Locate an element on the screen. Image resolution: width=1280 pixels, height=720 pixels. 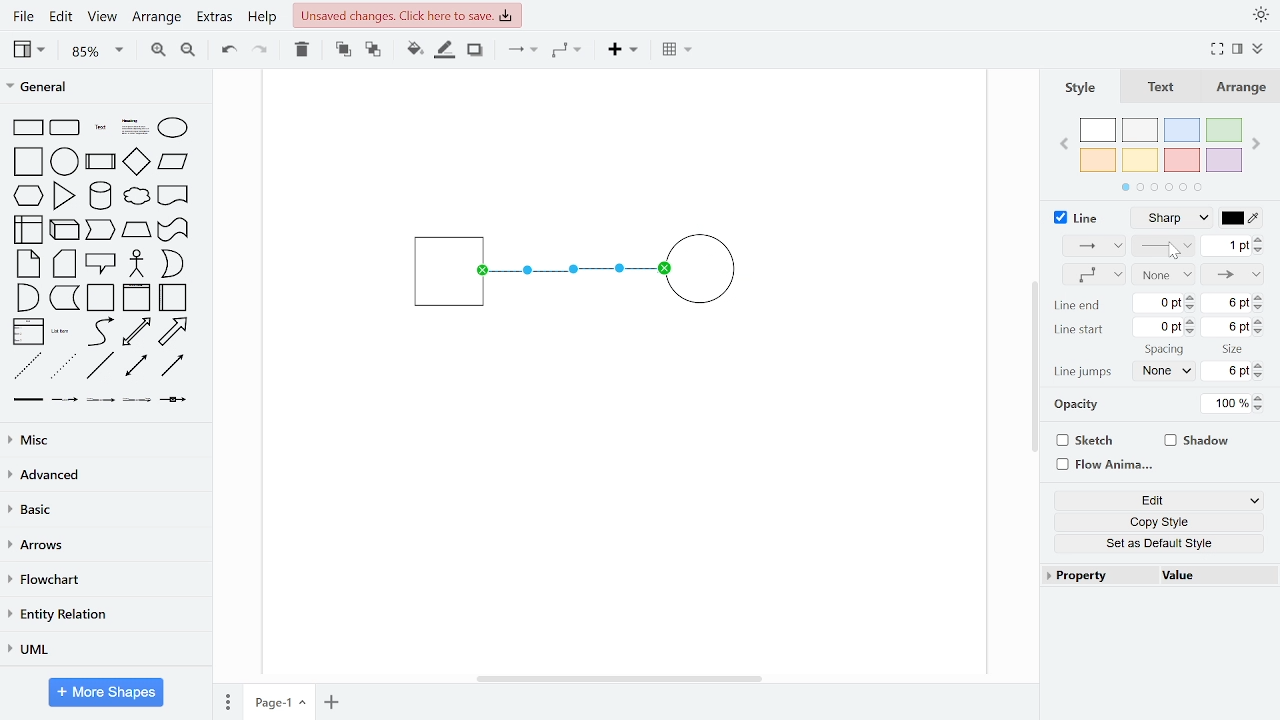
line start is located at coordinates (1163, 274).